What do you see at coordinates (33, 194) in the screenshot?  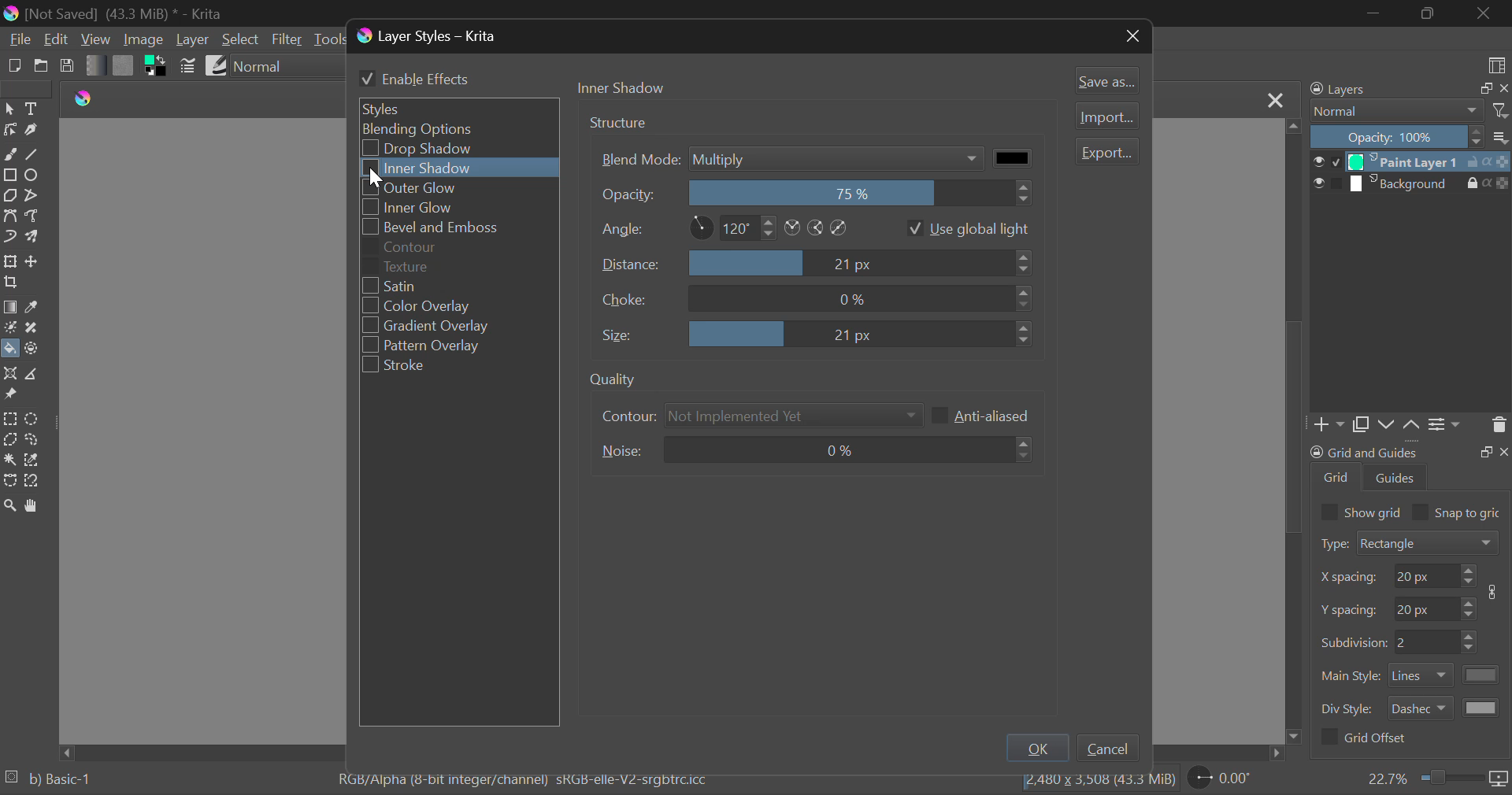 I see `Polyline` at bounding box center [33, 194].